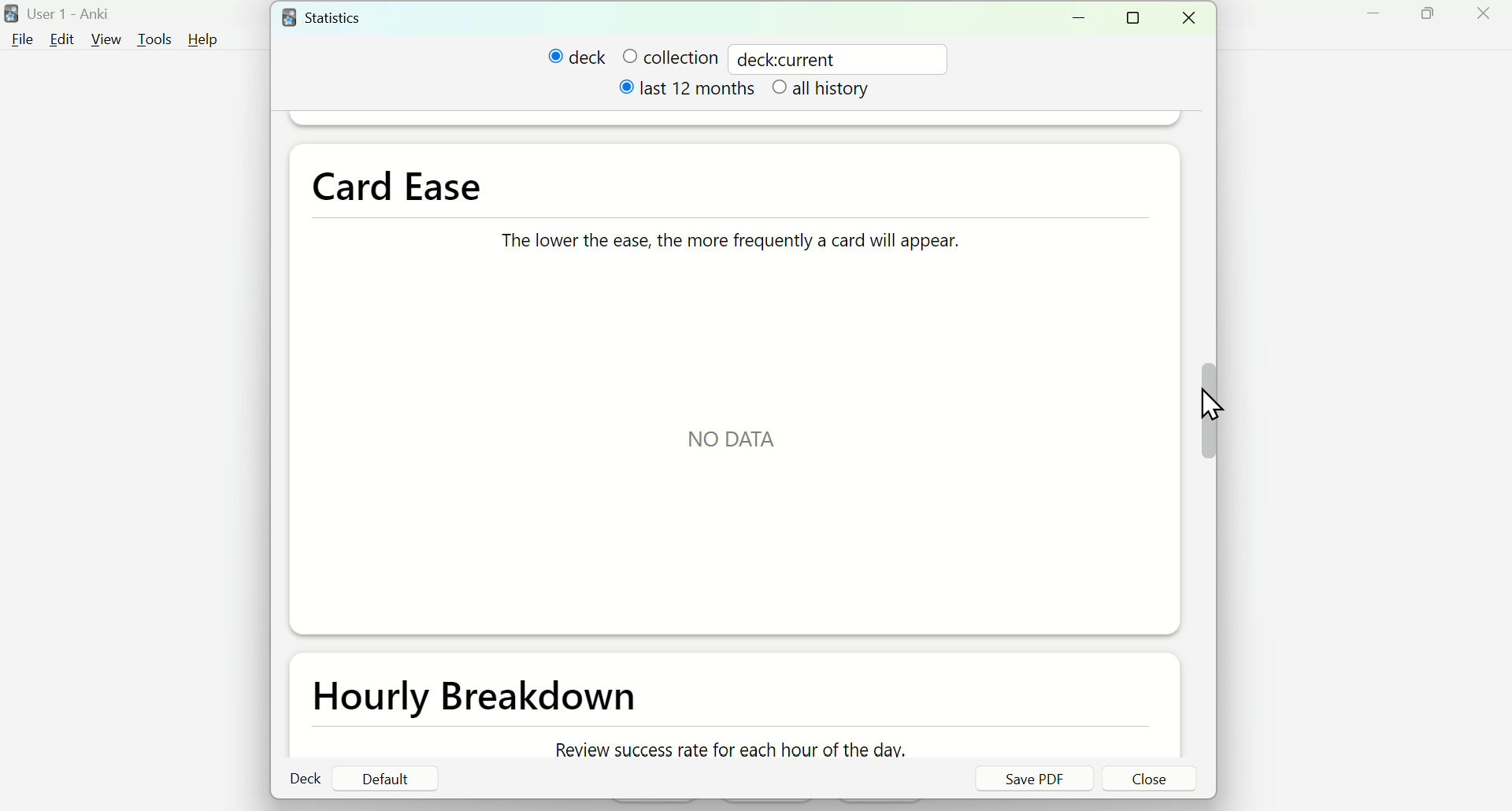 The image size is (1512, 811). Describe the element at coordinates (61, 39) in the screenshot. I see `Edit` at that location.